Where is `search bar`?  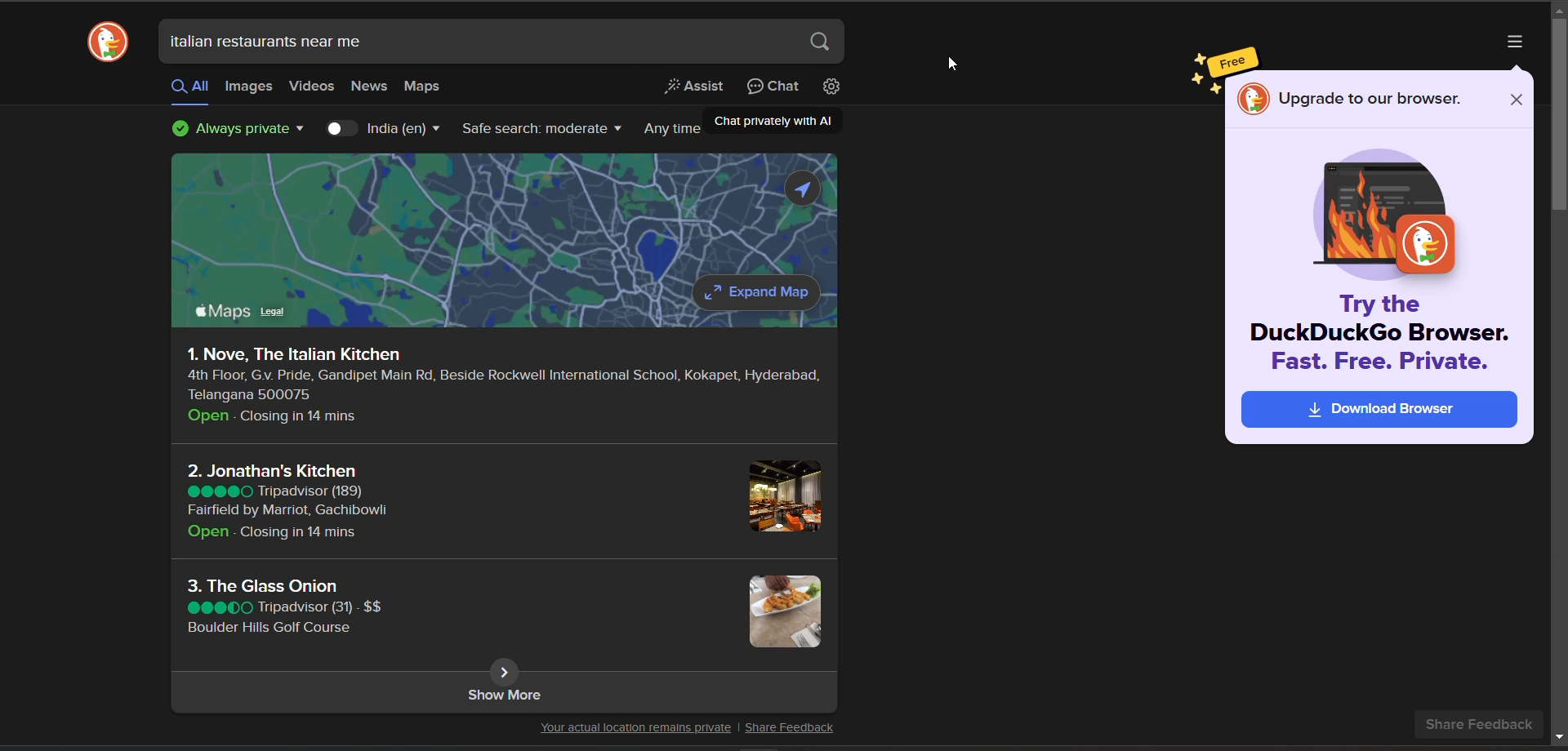 search bar is located at coordinates (502, 42).